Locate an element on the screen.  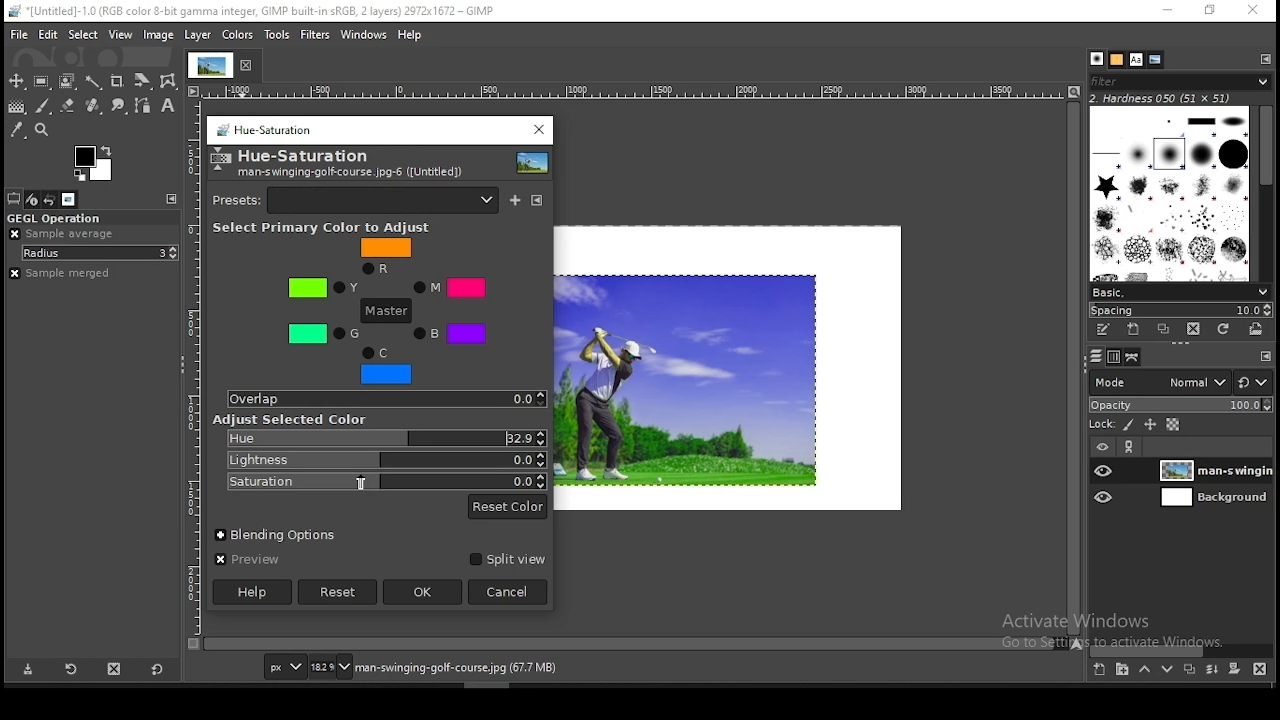
eraser tool is located at coordinates (68, 106).